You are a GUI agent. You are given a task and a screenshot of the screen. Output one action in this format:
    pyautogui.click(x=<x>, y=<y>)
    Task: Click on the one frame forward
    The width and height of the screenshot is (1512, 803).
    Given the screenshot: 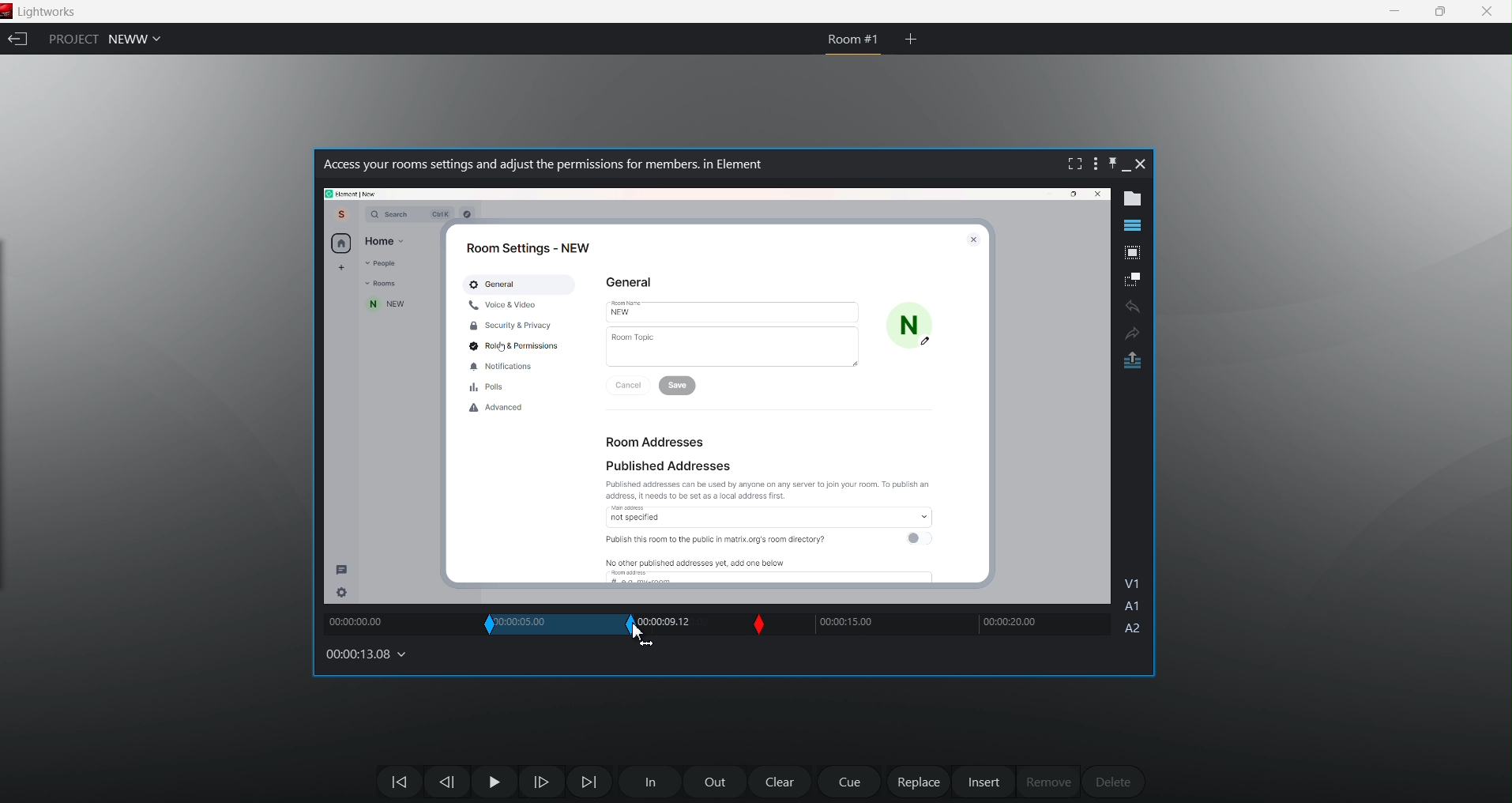 What is the action you would take?
    pyautogui.click(x=540, y=781)
    